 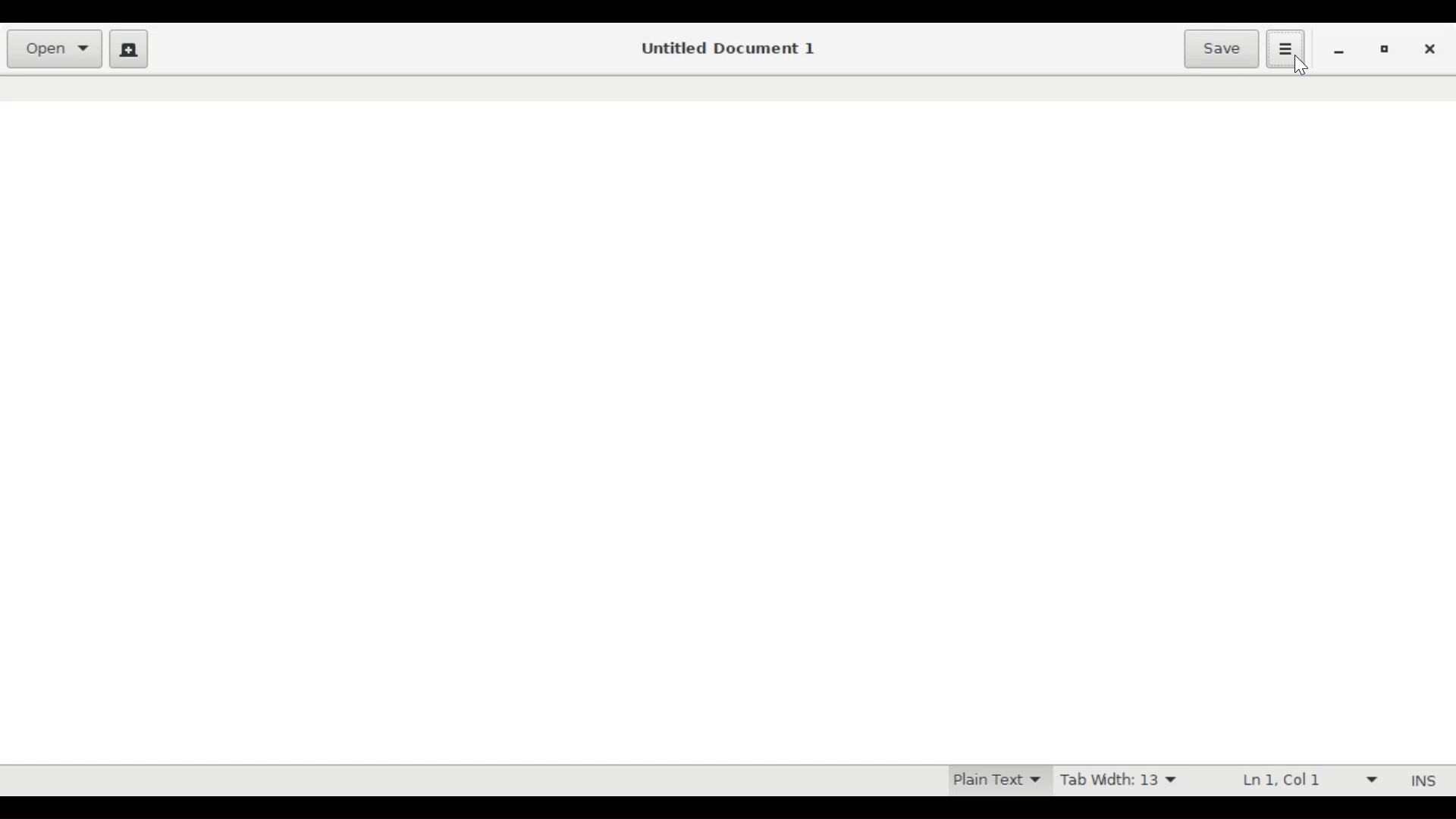 What do you see at coordinates (56, 49) in the screenshot?
I see `Open` at bounding box center [56, 49].